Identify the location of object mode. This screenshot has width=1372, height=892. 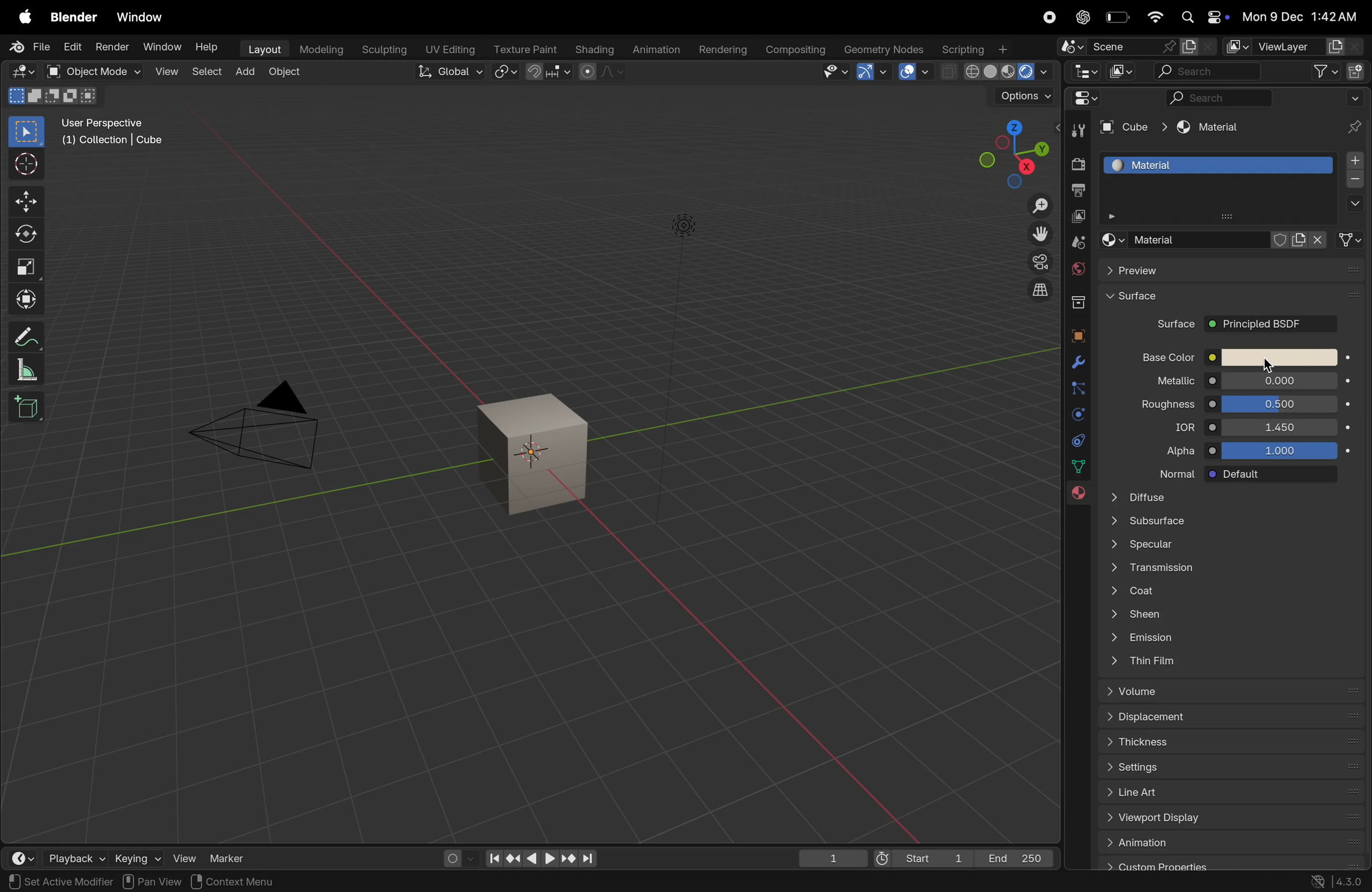
(91, 71).